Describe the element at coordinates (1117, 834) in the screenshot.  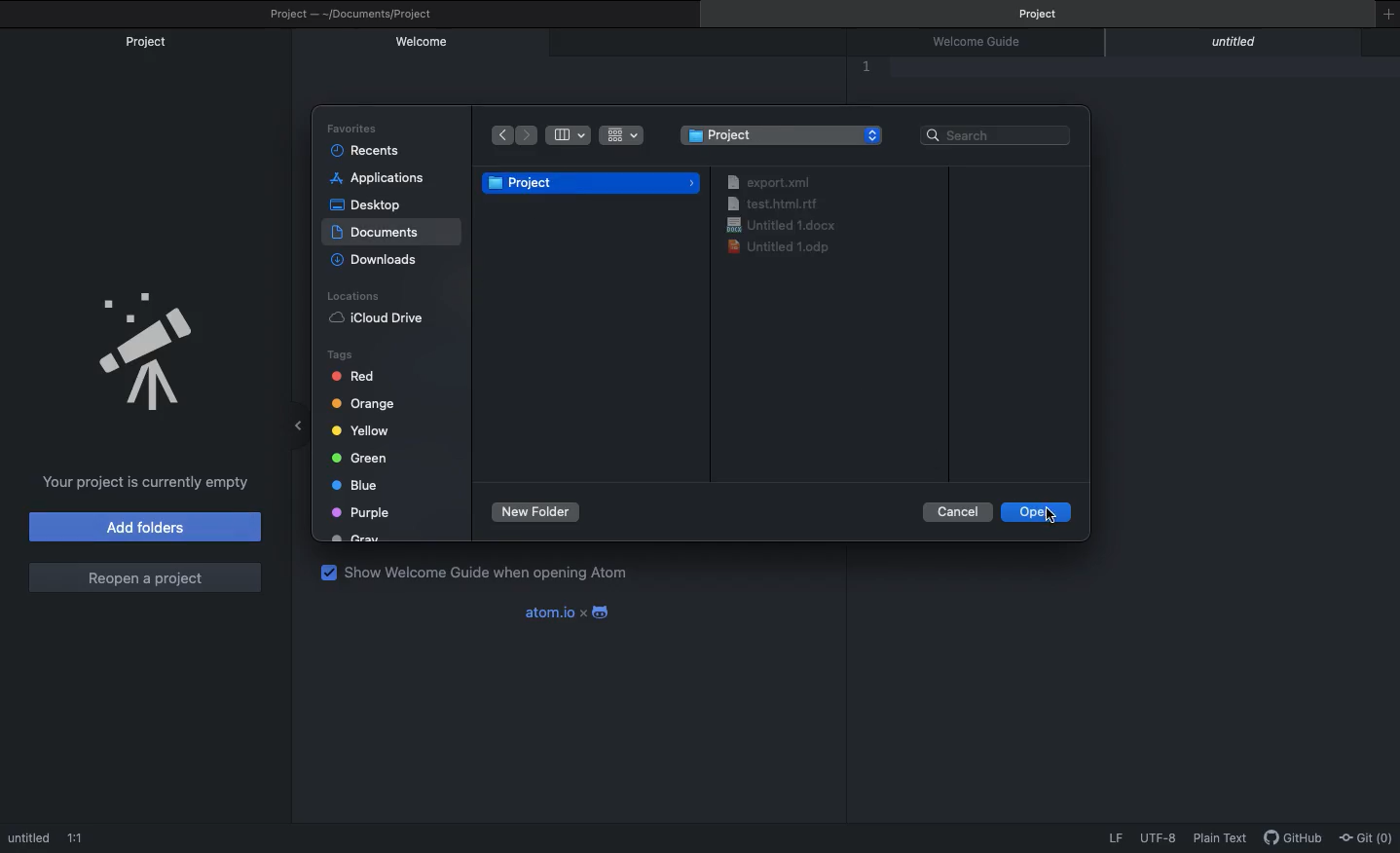
I see `LF` at that location.